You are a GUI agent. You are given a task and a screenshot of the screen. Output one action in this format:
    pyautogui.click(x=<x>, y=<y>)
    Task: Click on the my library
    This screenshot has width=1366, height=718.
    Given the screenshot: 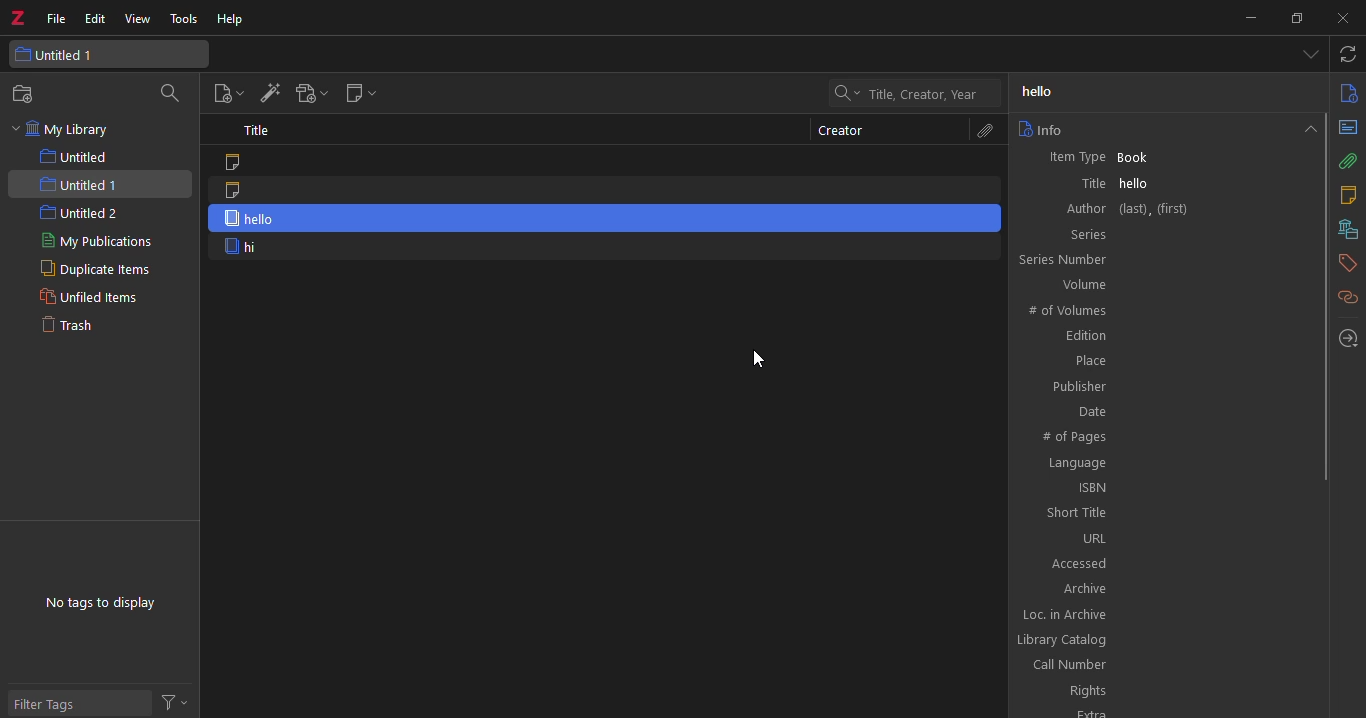 What is the action you would take?
    pyautogui.click(x=64, y=130)
    